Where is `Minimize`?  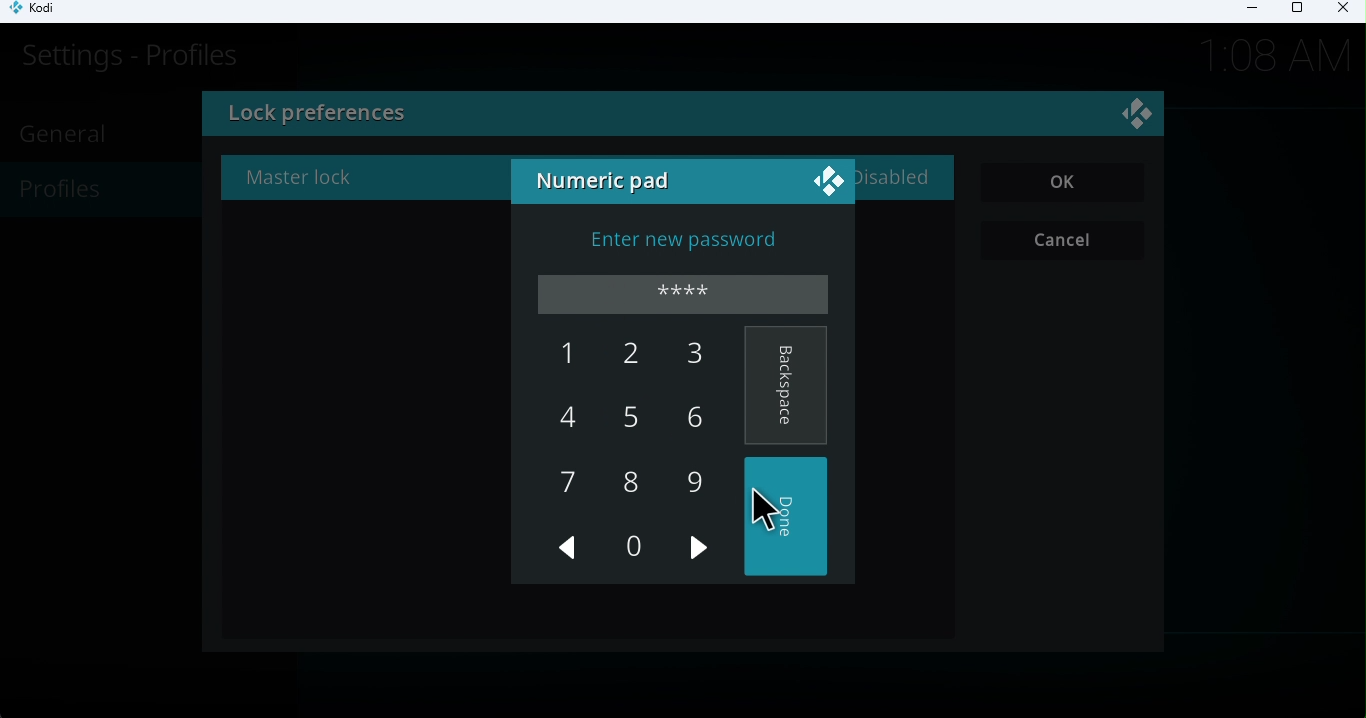
Minimize is located at coordinates (1245, 11).